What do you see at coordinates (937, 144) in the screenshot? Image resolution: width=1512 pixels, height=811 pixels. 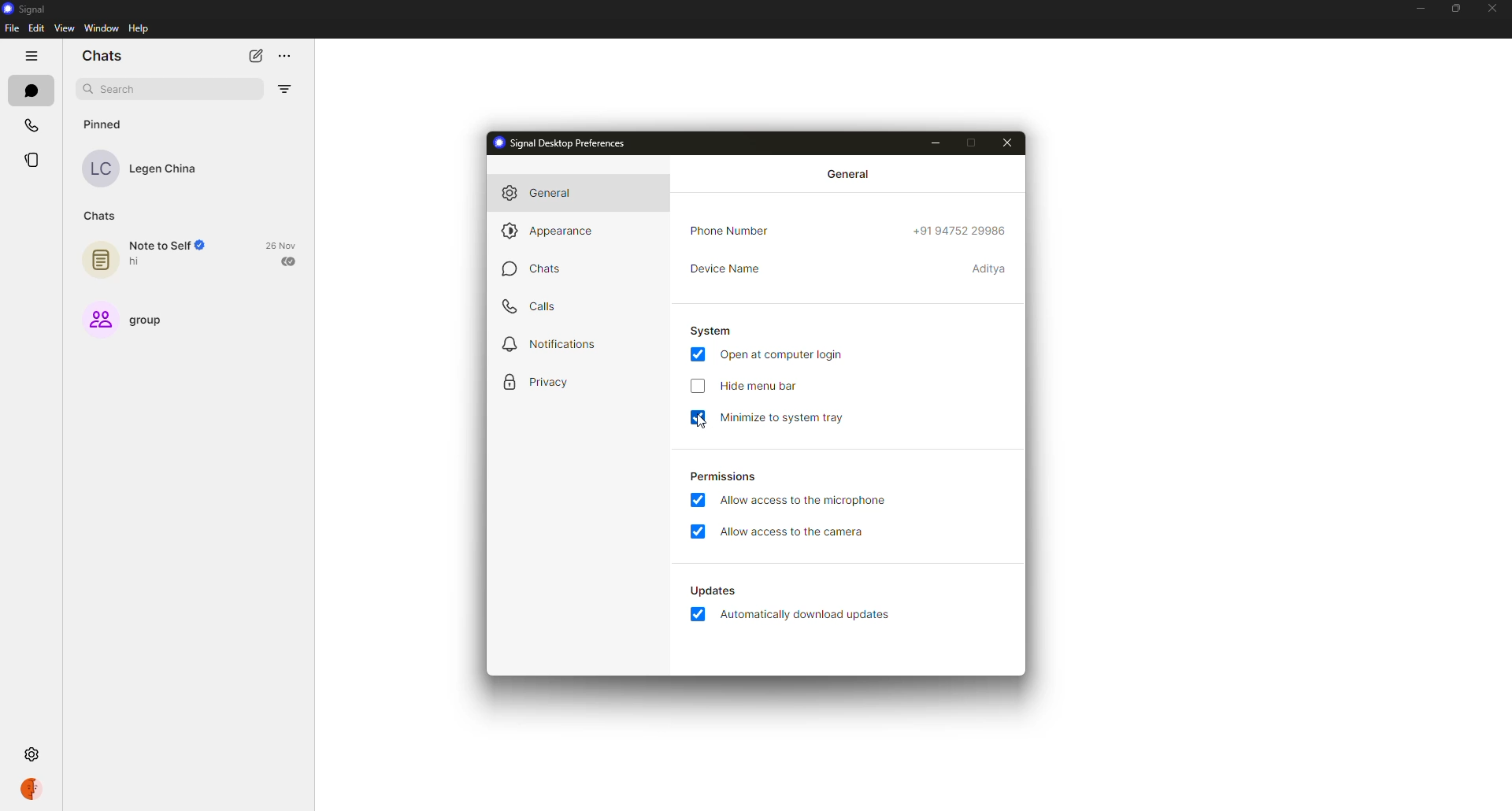 I see `minimize` at bounding box center [937, 144].